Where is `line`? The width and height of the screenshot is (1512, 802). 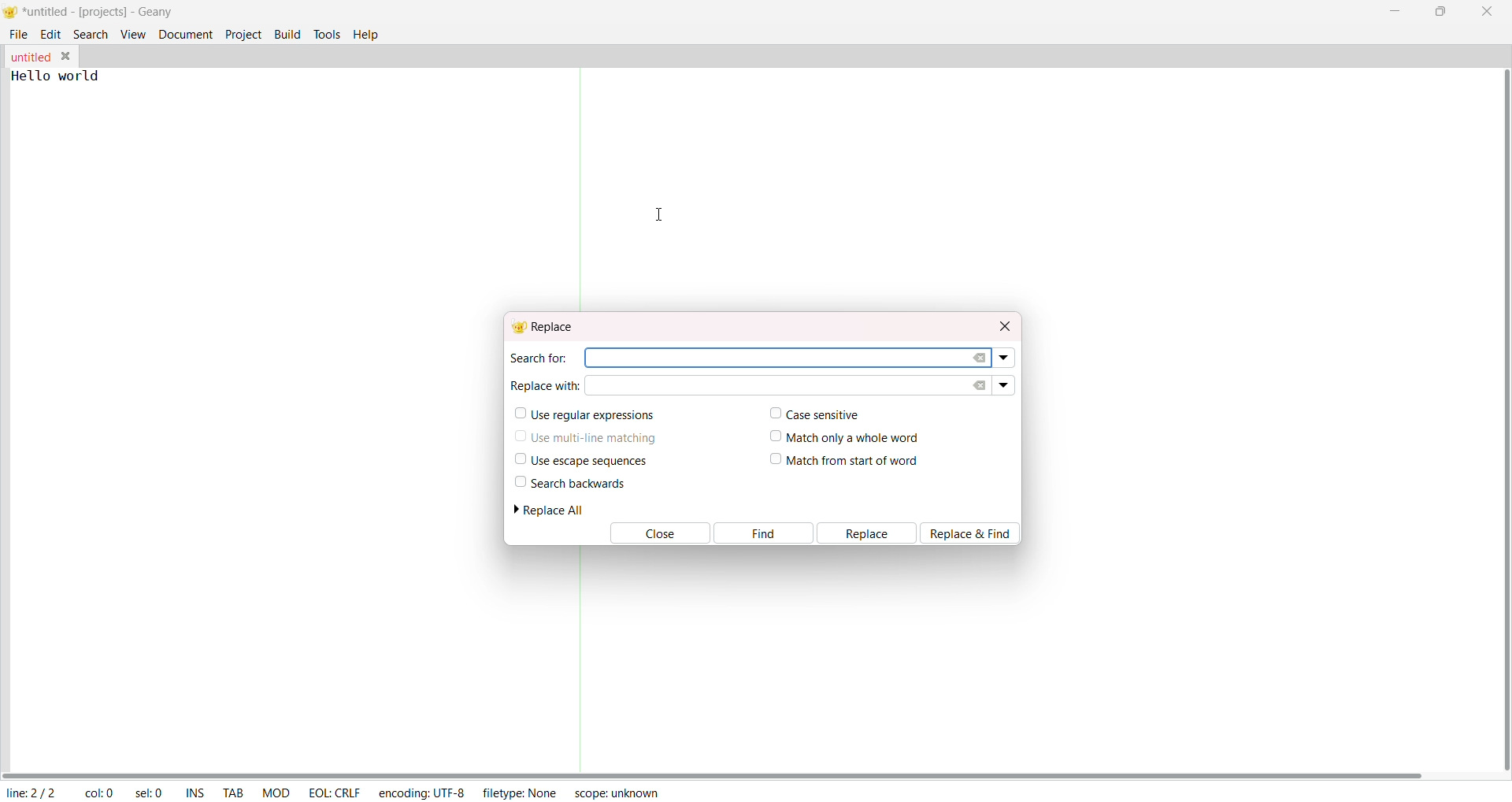 line is located at coordinates (30, 793).